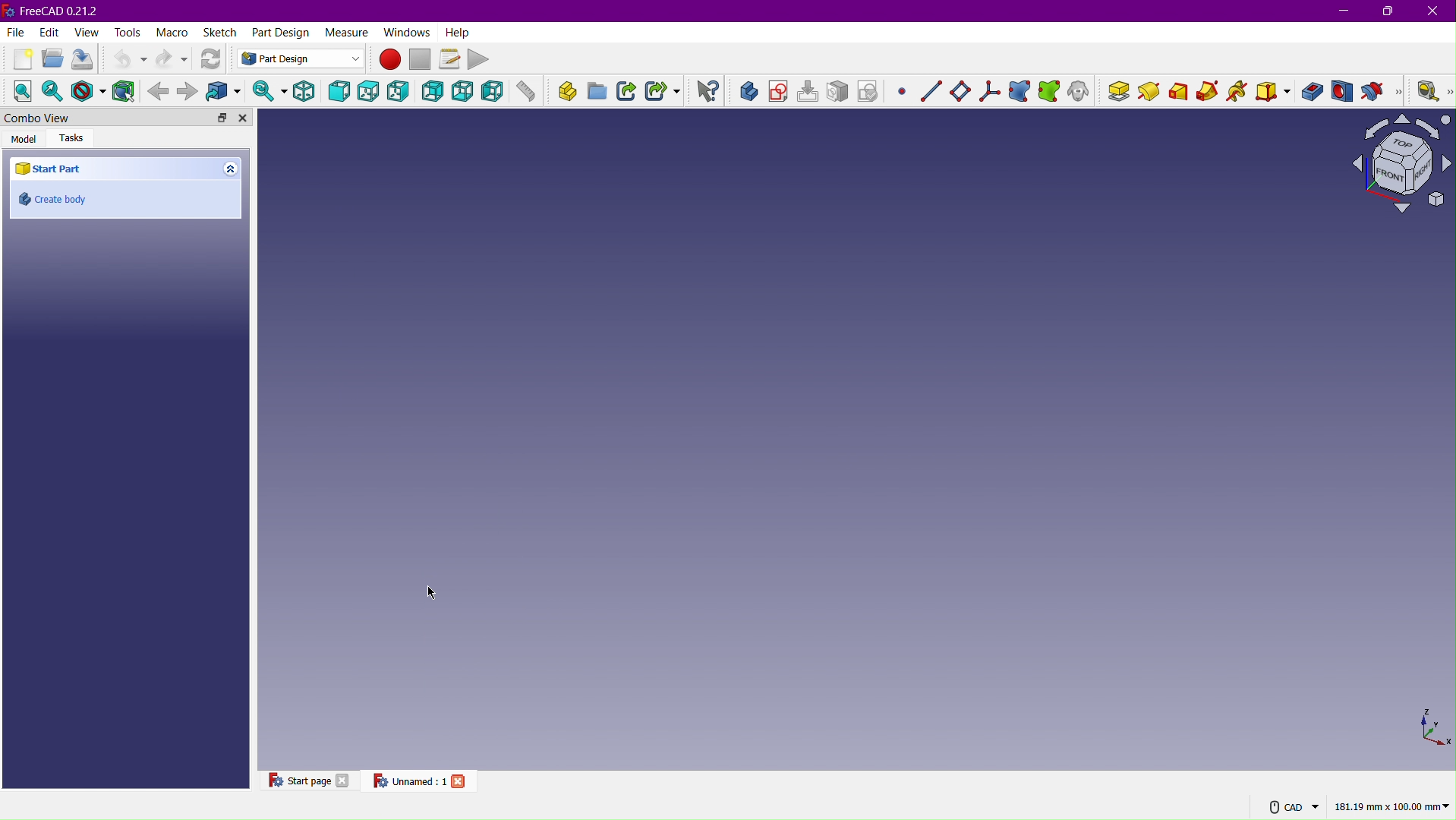  I want to click on Start Page, so click(313, 780).